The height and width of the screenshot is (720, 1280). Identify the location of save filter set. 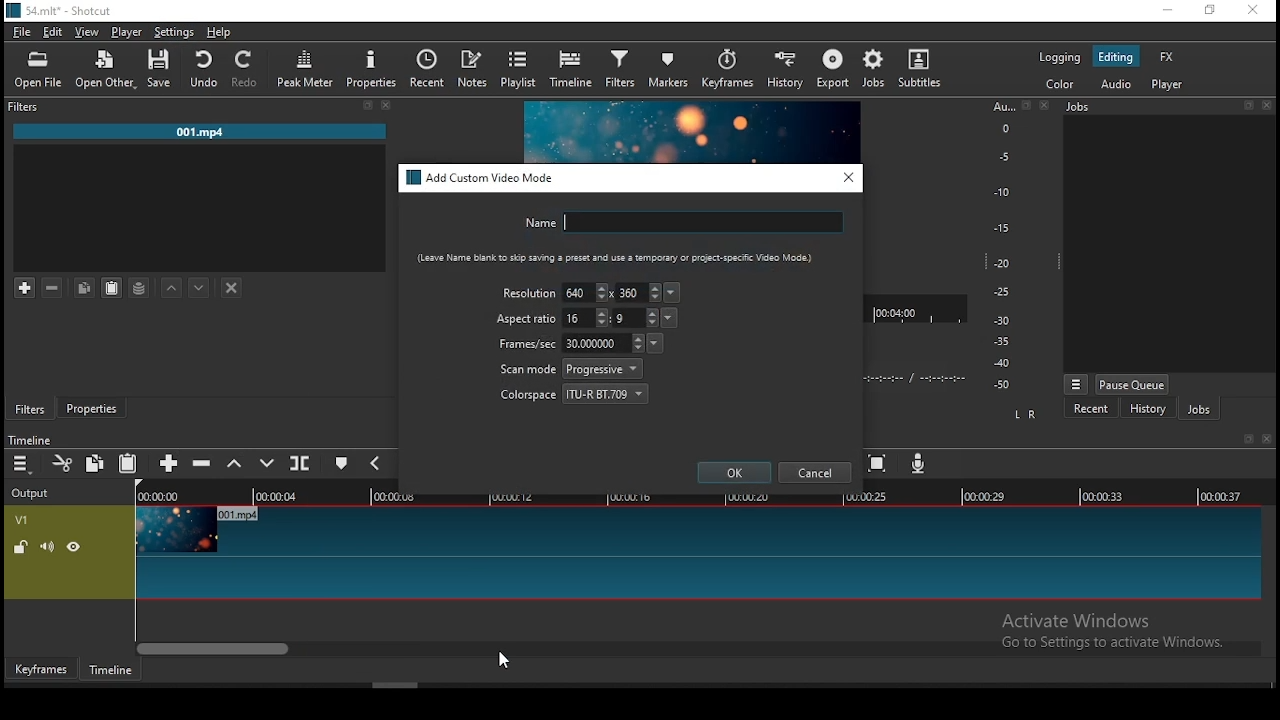
(139, 285).